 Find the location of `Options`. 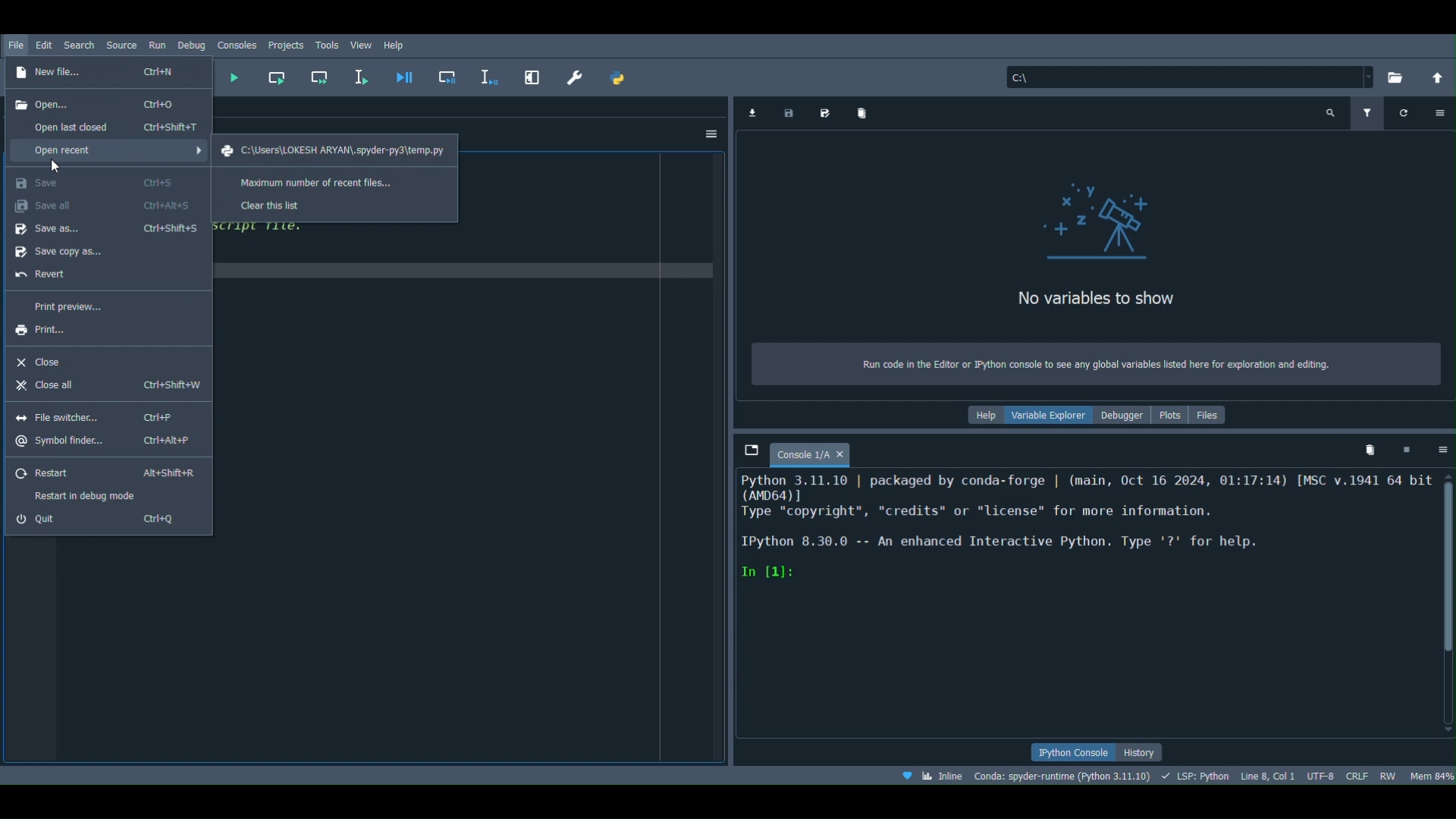

Options is located at coordinates (1439, 114).